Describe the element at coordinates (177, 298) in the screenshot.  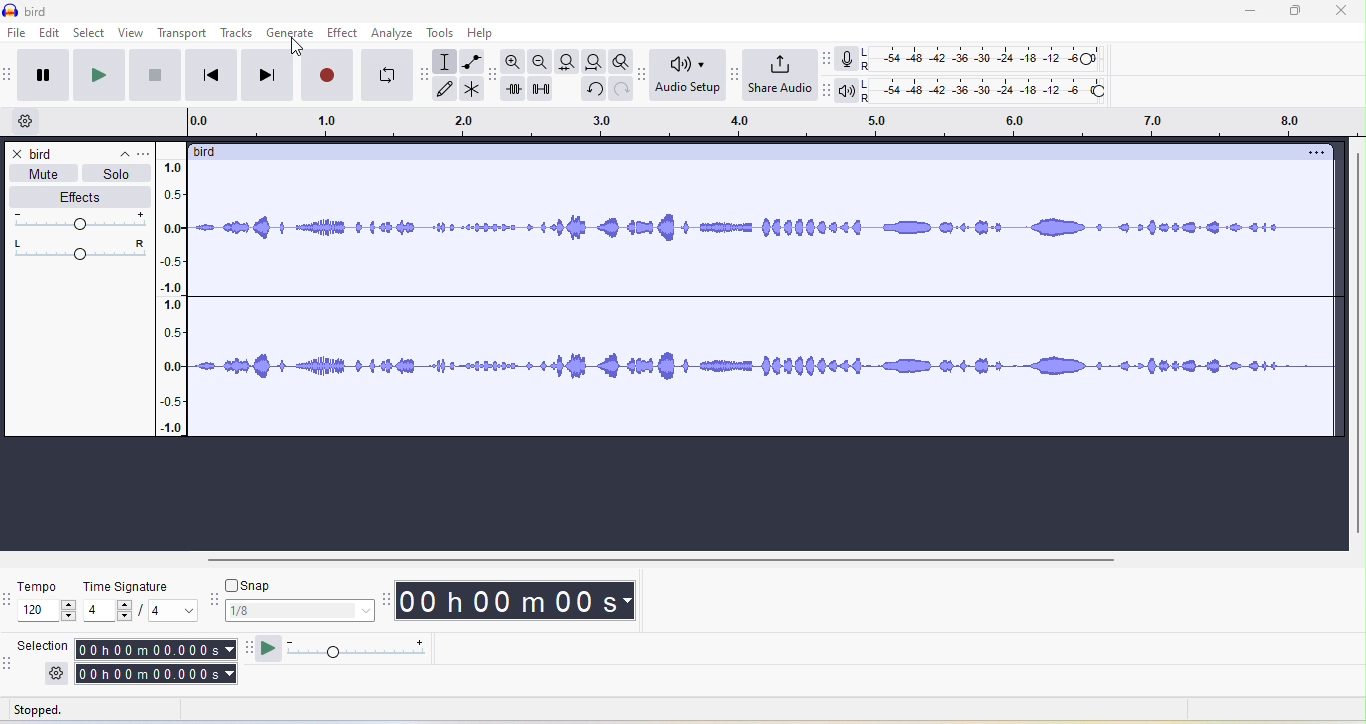
I see `amplitude` at that location.